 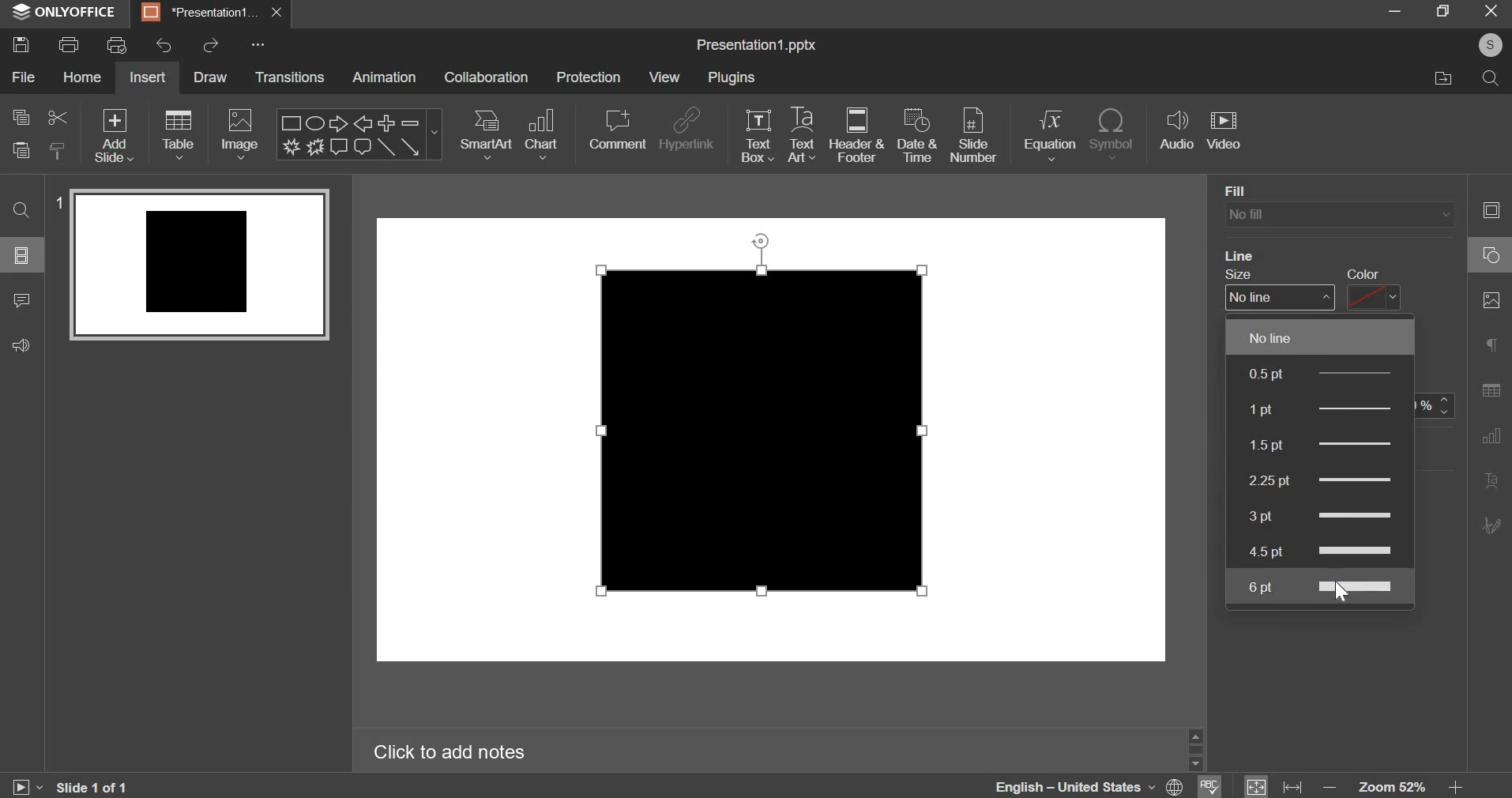 What do you see at coordinates (1363, 269) in the screenshot?
I see `Color` at bounding box center [1363, 269].